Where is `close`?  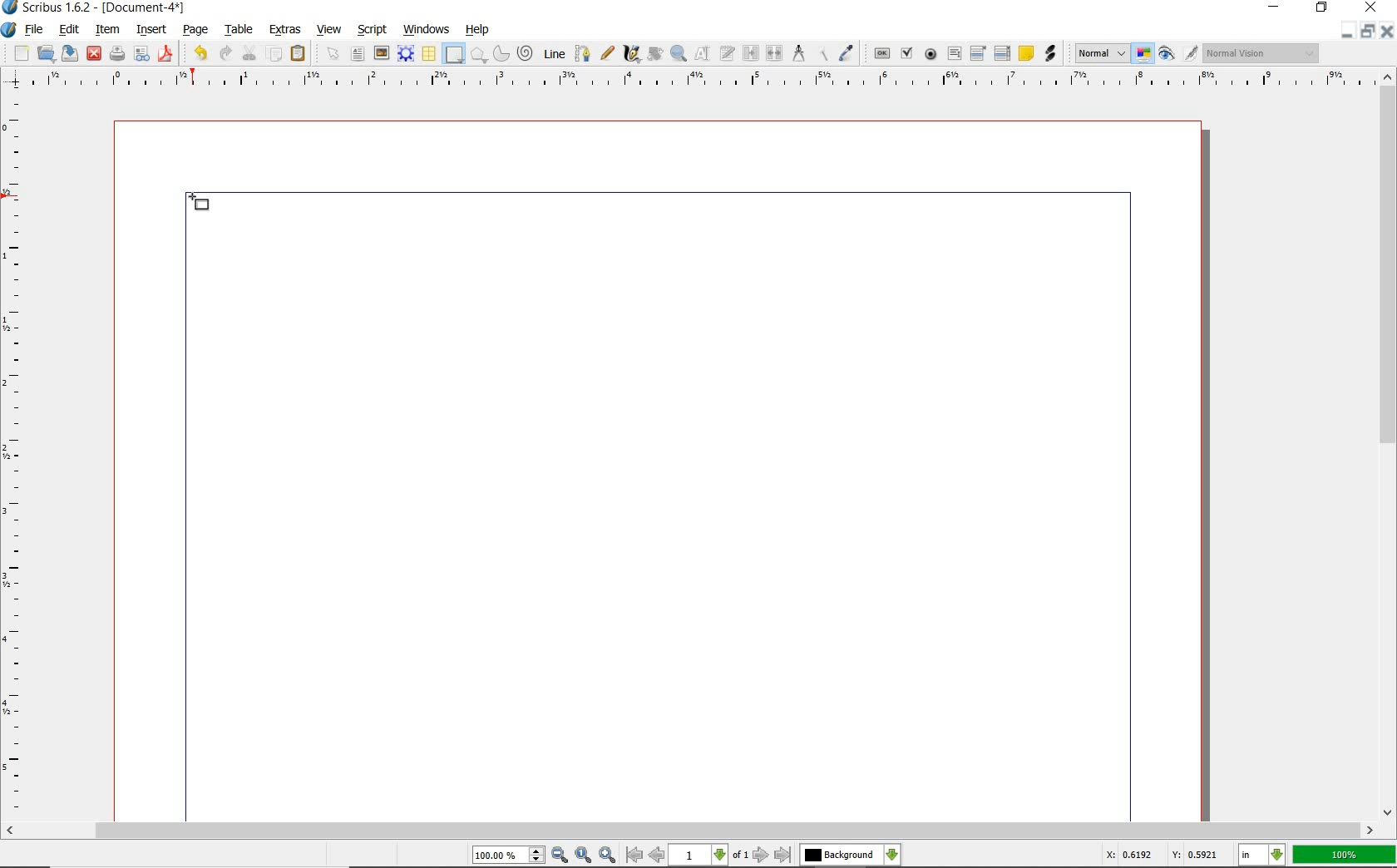
close is located at coordinates (1370, 8).